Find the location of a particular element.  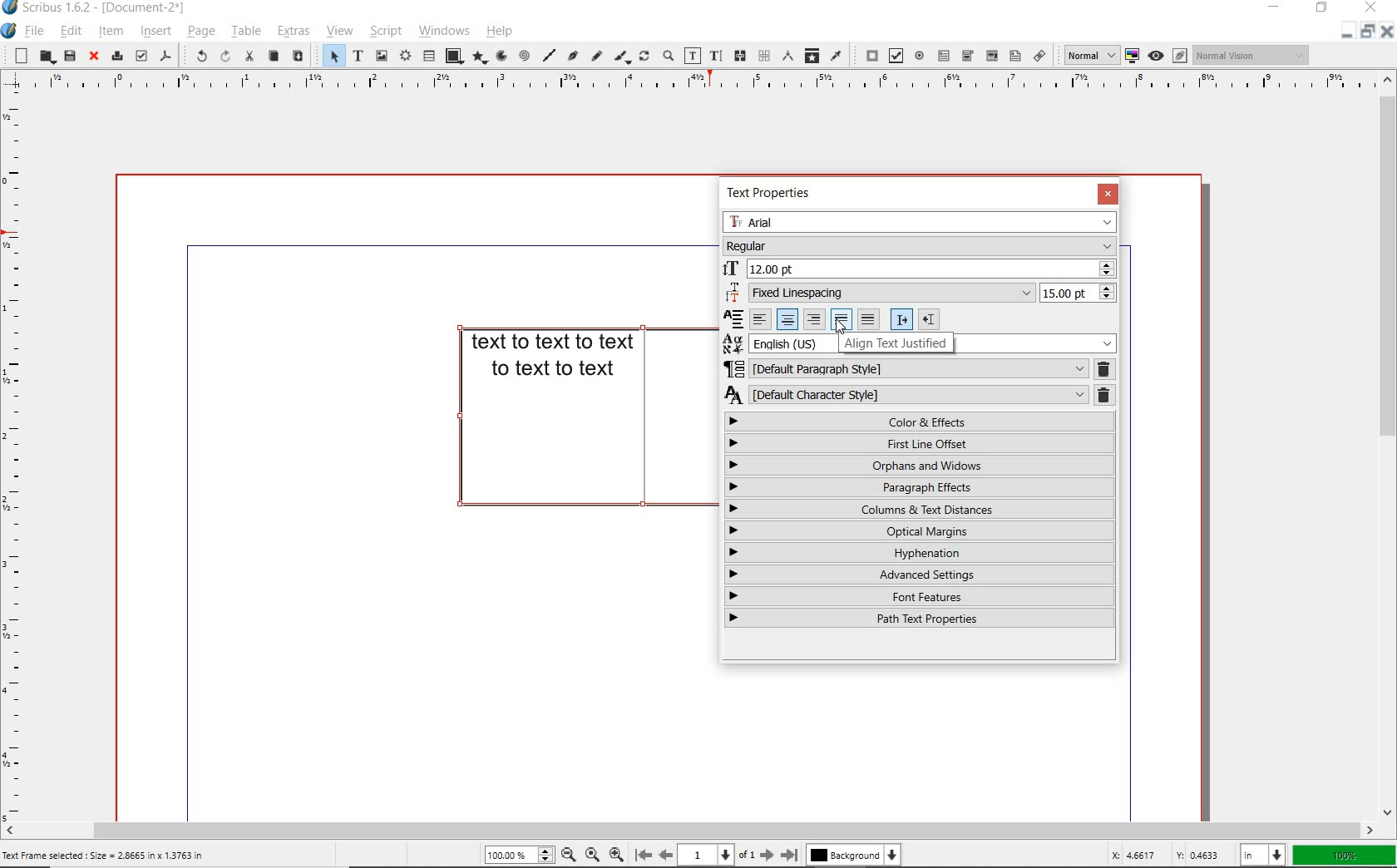

new is located at coordinates (18, 56).